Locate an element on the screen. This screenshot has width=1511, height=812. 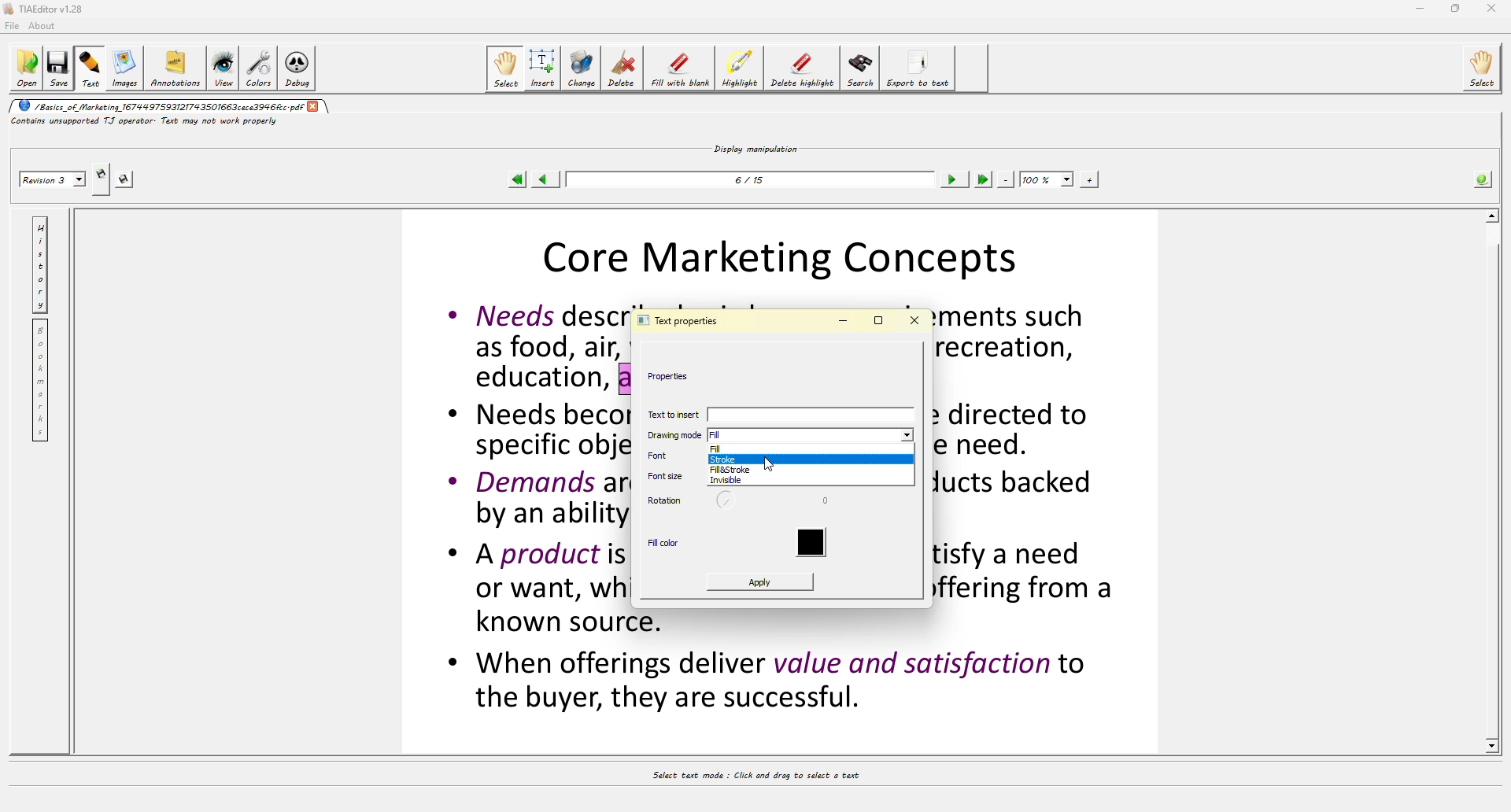
save is located at coordinates (57, 68).